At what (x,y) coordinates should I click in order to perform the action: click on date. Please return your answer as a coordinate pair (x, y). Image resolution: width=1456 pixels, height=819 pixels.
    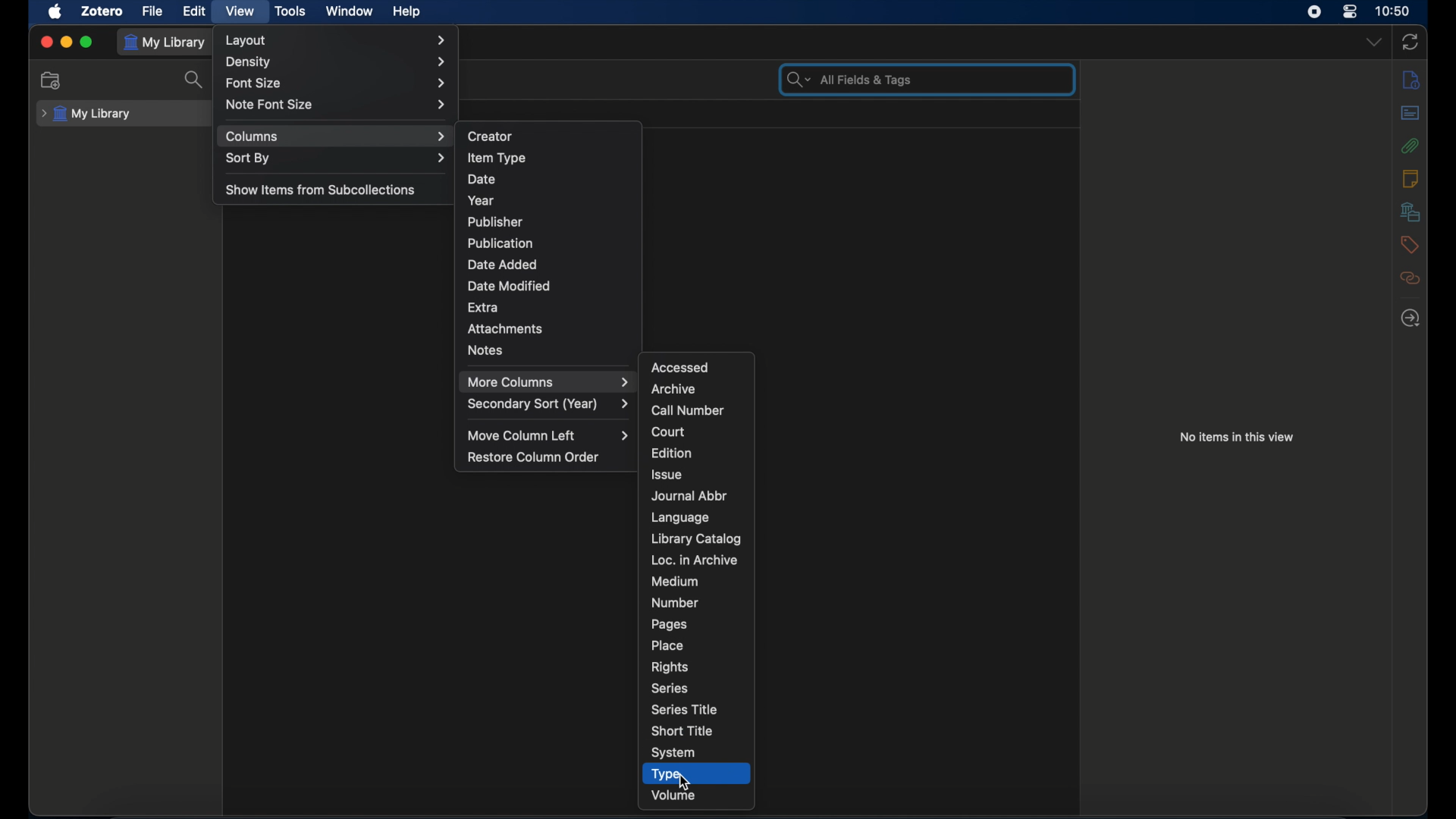
    Looking at the image, I should click on (482, 179).